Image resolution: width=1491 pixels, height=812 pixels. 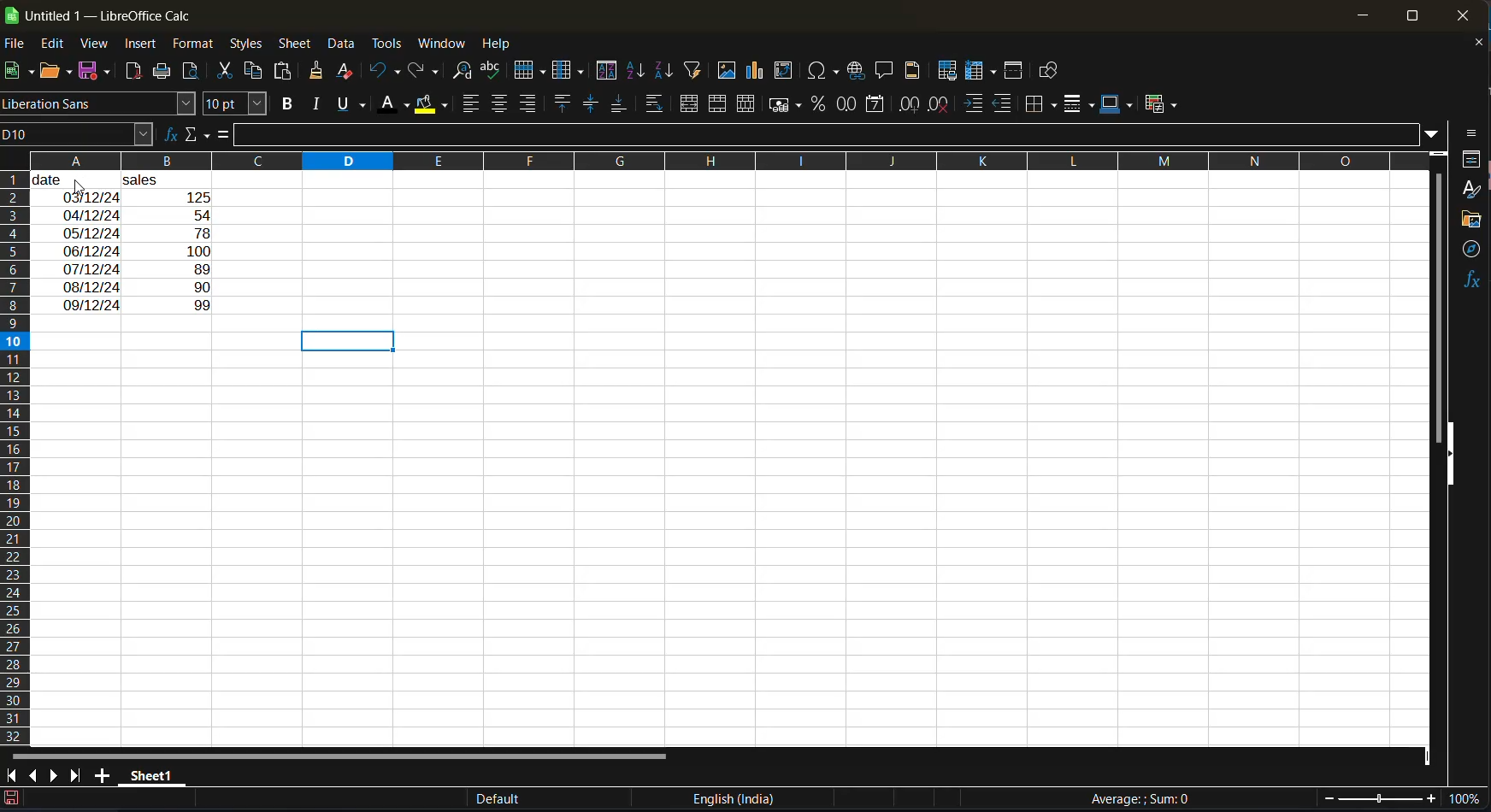 I want to click on borders, so click(x=1042, y=106).